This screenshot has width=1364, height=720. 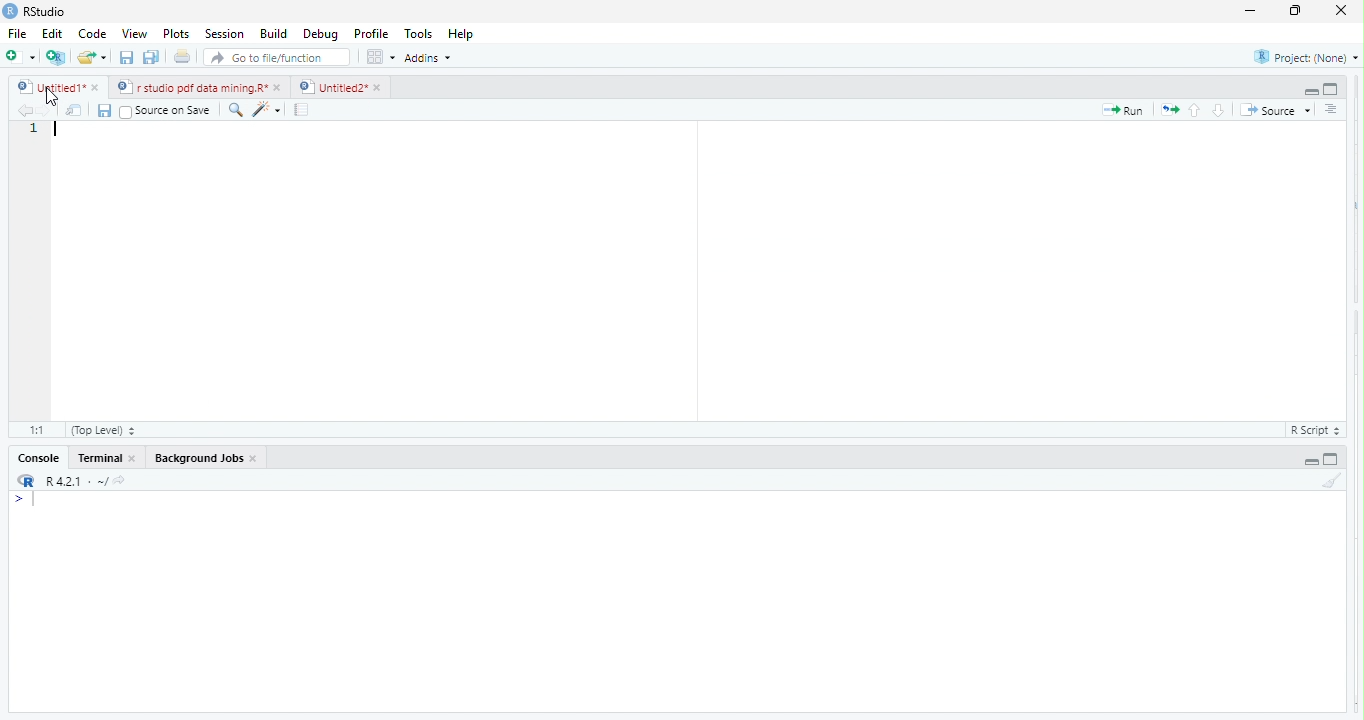 What do you see at coordinates (432, 57) in the screenshot?
I see `Addins ` at bounding box center [432, 57].